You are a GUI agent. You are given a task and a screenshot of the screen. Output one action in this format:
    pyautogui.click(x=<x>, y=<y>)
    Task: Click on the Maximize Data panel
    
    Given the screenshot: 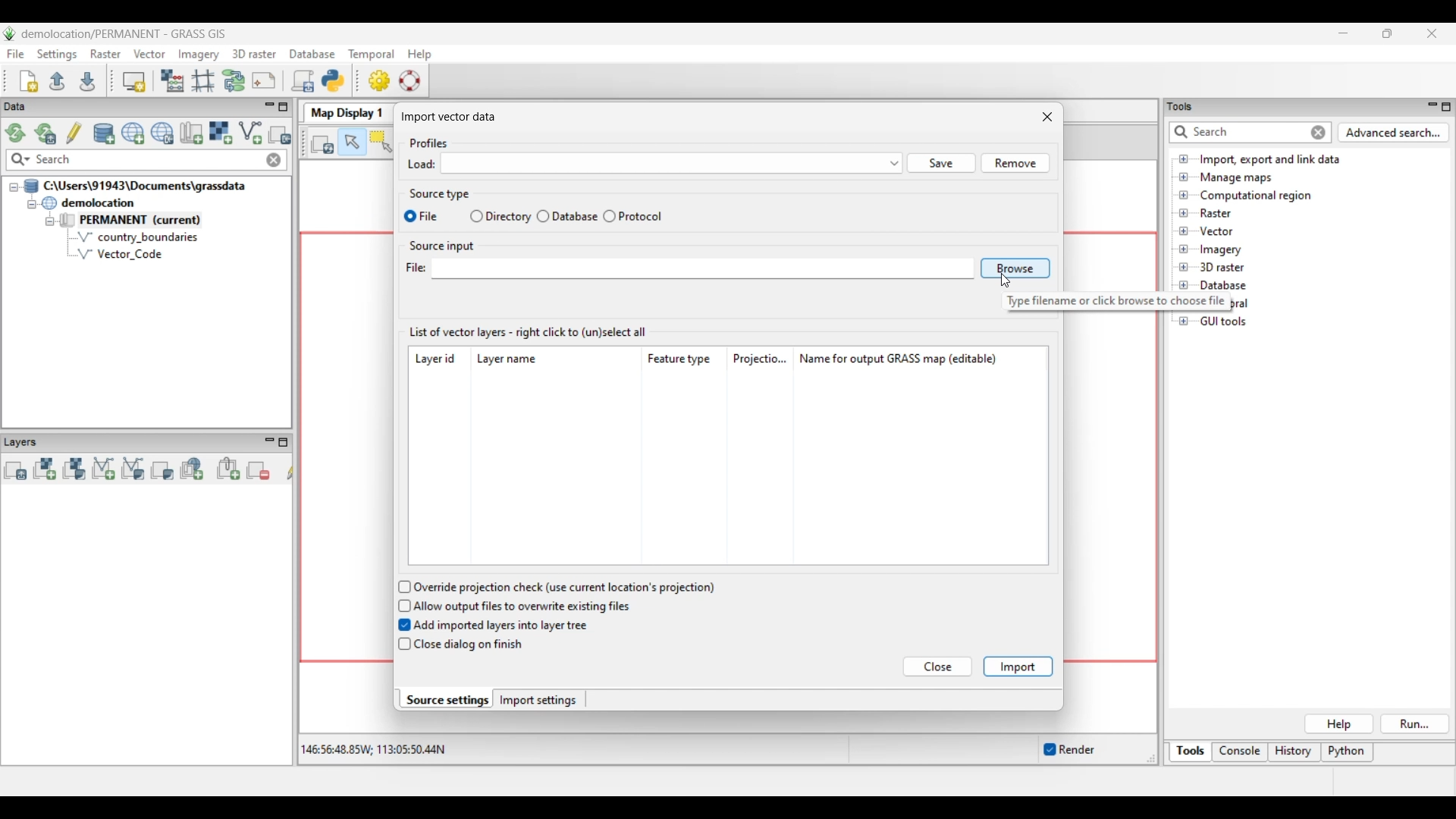 What is the action you would take?
    pyautogui.click(x=284, y=107)
    